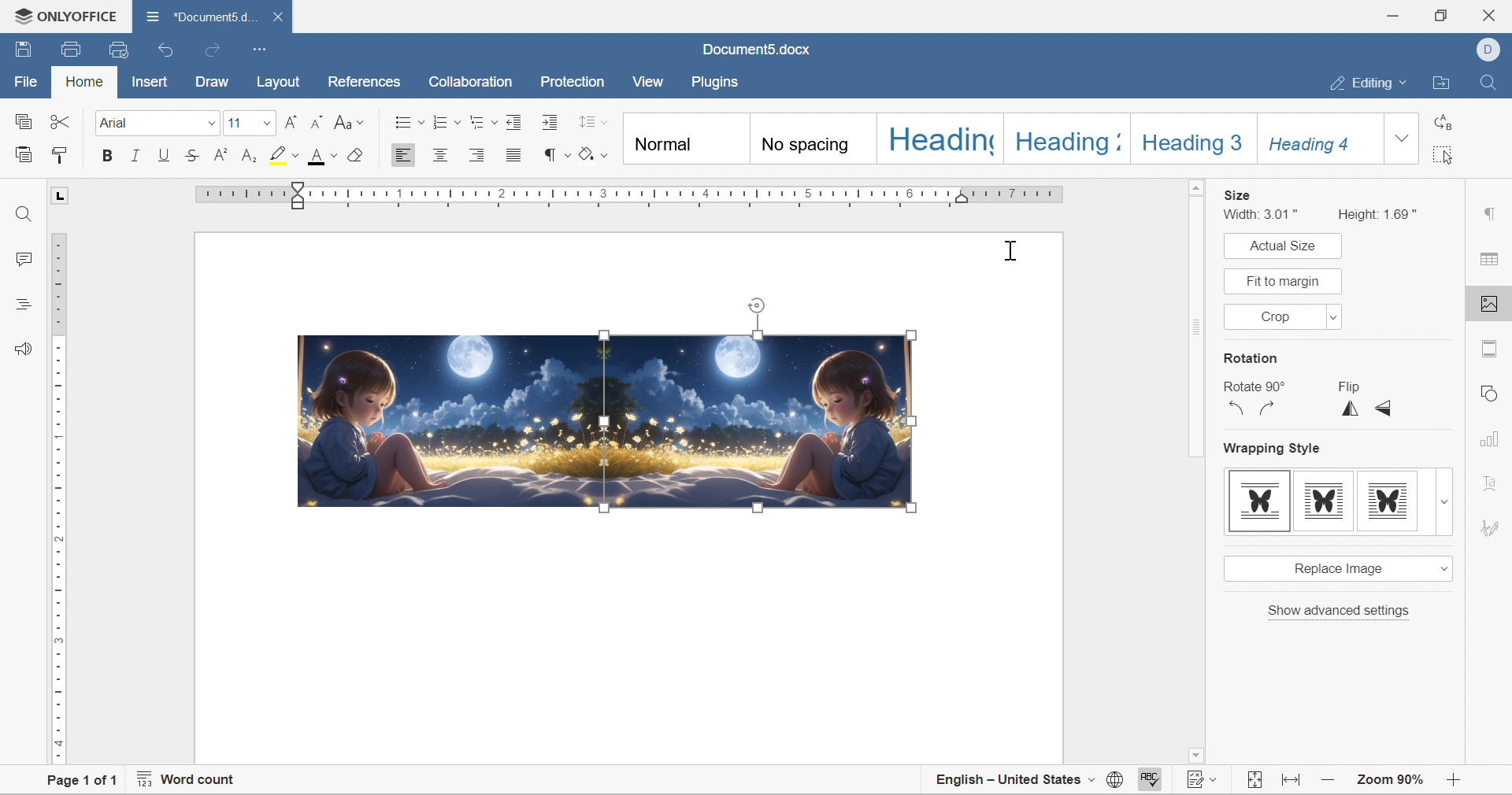 The image size is (1512, 795). Describe the element at coordinates (553, 122) in the screenshot. I see `increase indent` at that location.